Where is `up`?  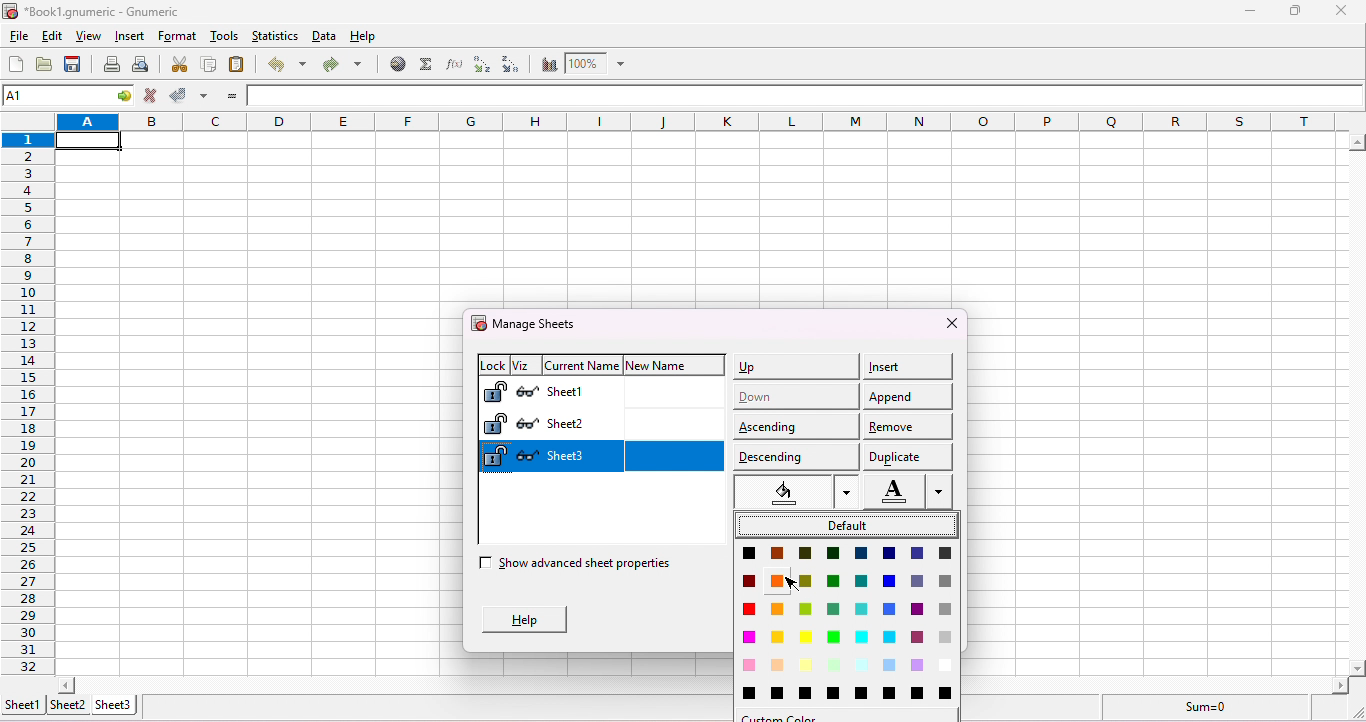
up is located at coordinates (795, 368).